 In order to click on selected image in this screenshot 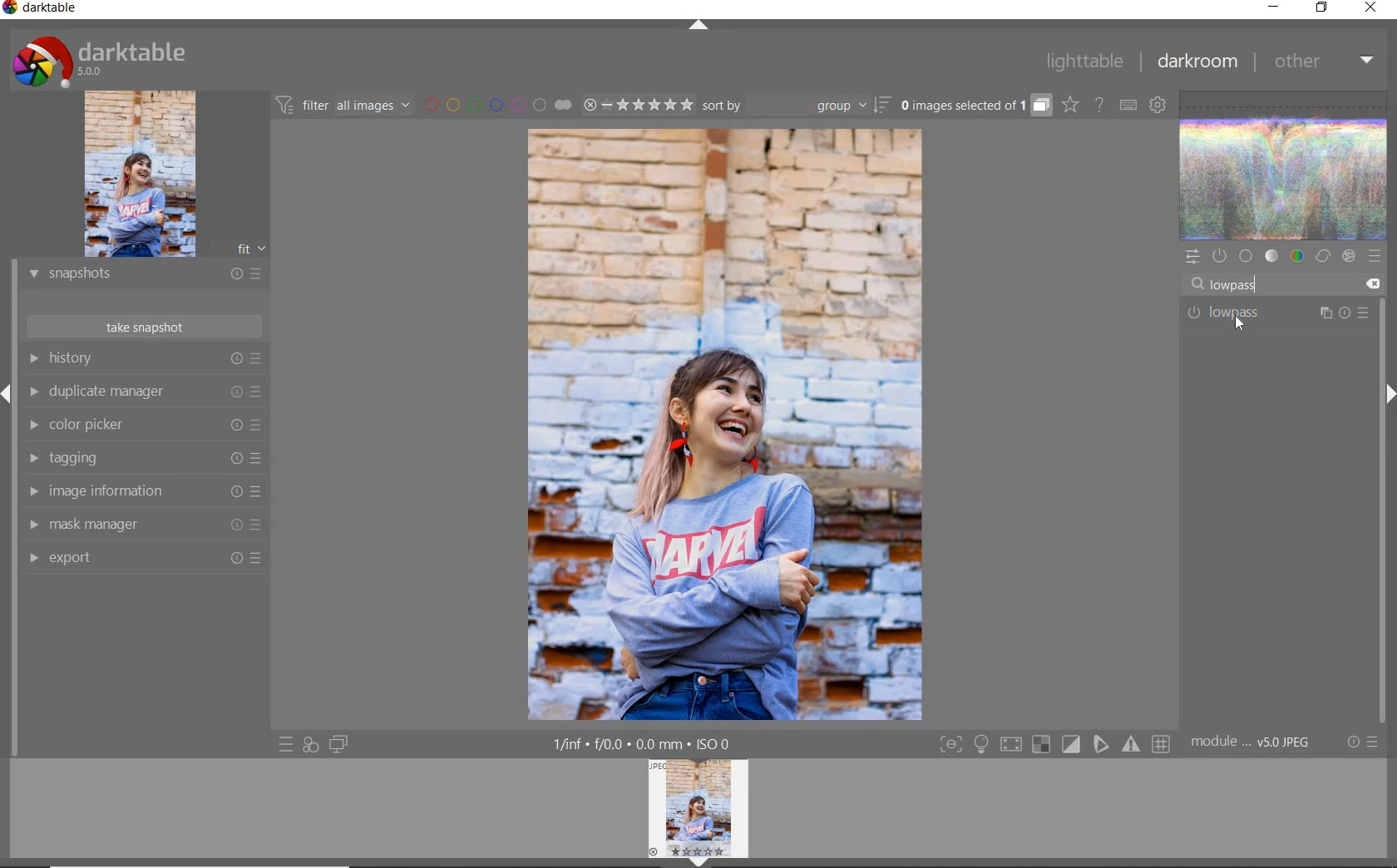, I will do `click(726, 427)`.